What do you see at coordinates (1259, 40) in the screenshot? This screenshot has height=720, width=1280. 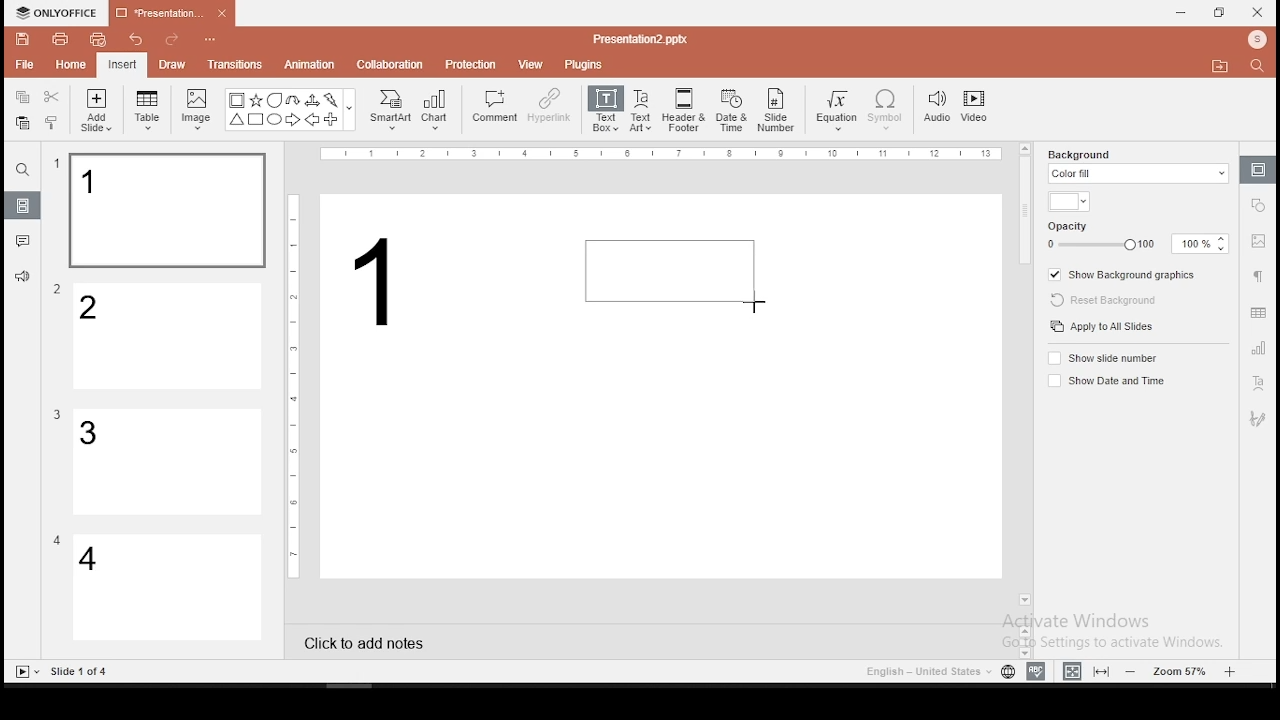 I see `Profile` at bounding box center [1259, 40].